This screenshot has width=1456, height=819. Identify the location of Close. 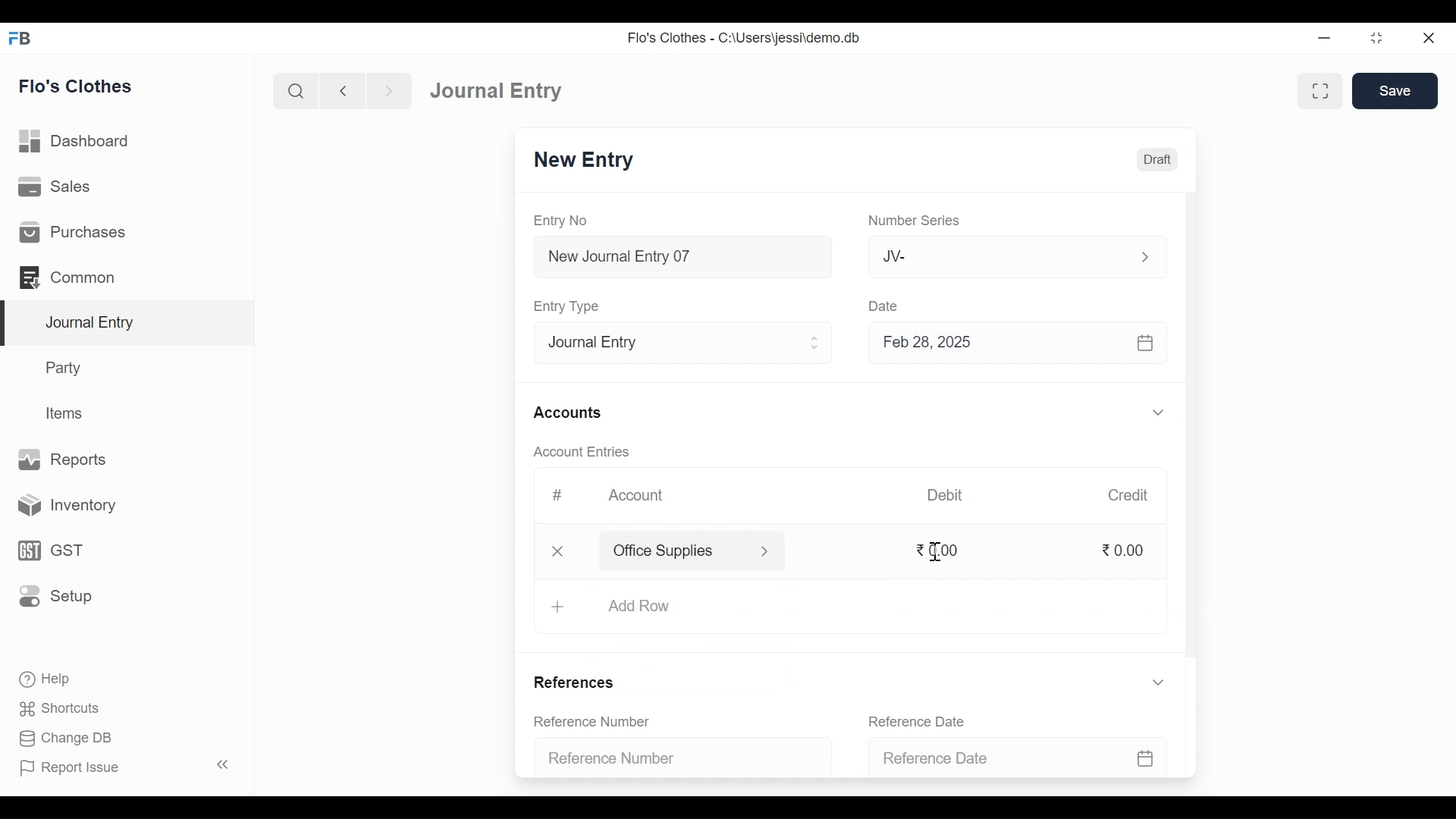
(558, 553).